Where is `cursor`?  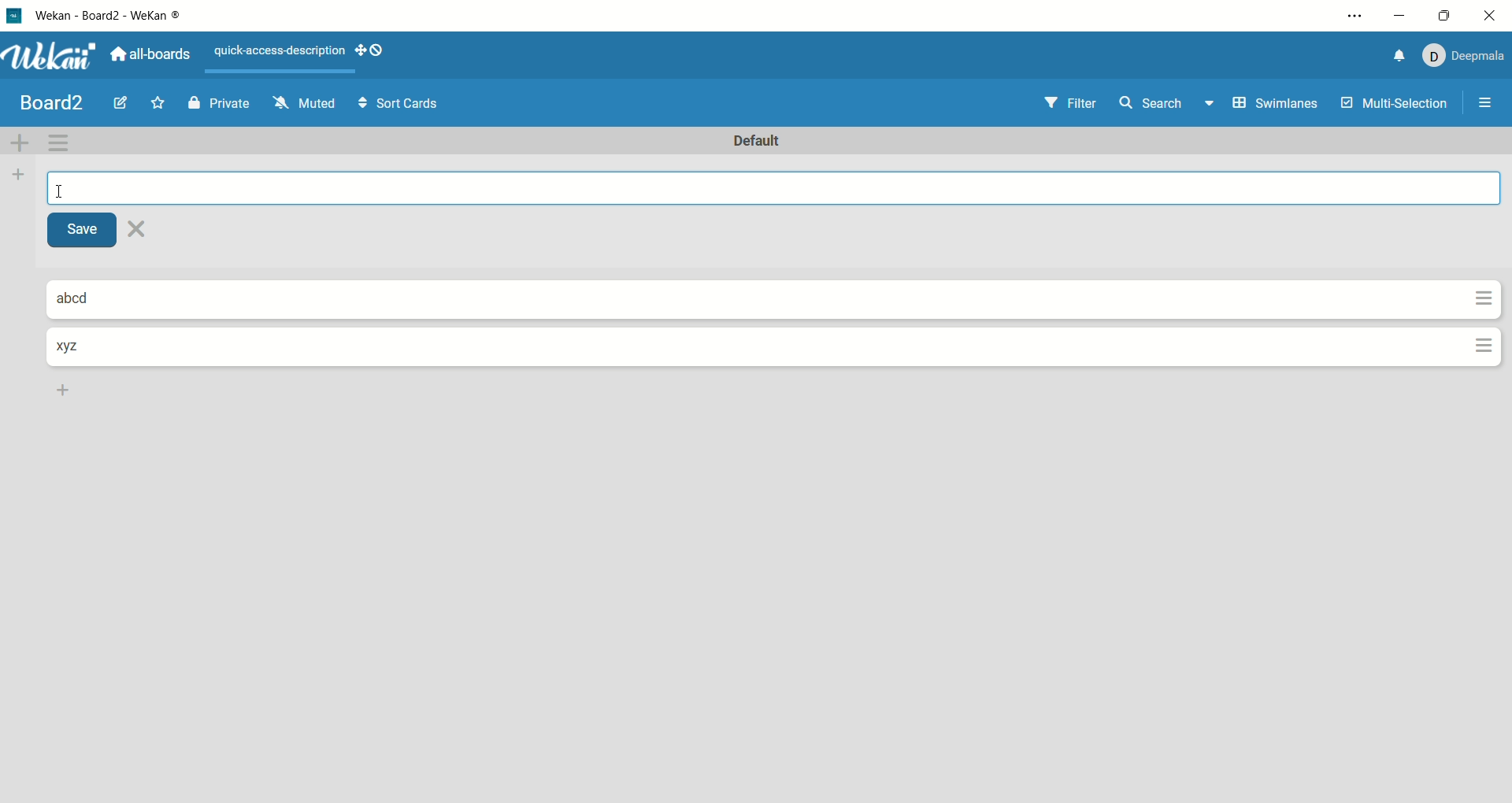
cursor is located at coordinates (62, 189).